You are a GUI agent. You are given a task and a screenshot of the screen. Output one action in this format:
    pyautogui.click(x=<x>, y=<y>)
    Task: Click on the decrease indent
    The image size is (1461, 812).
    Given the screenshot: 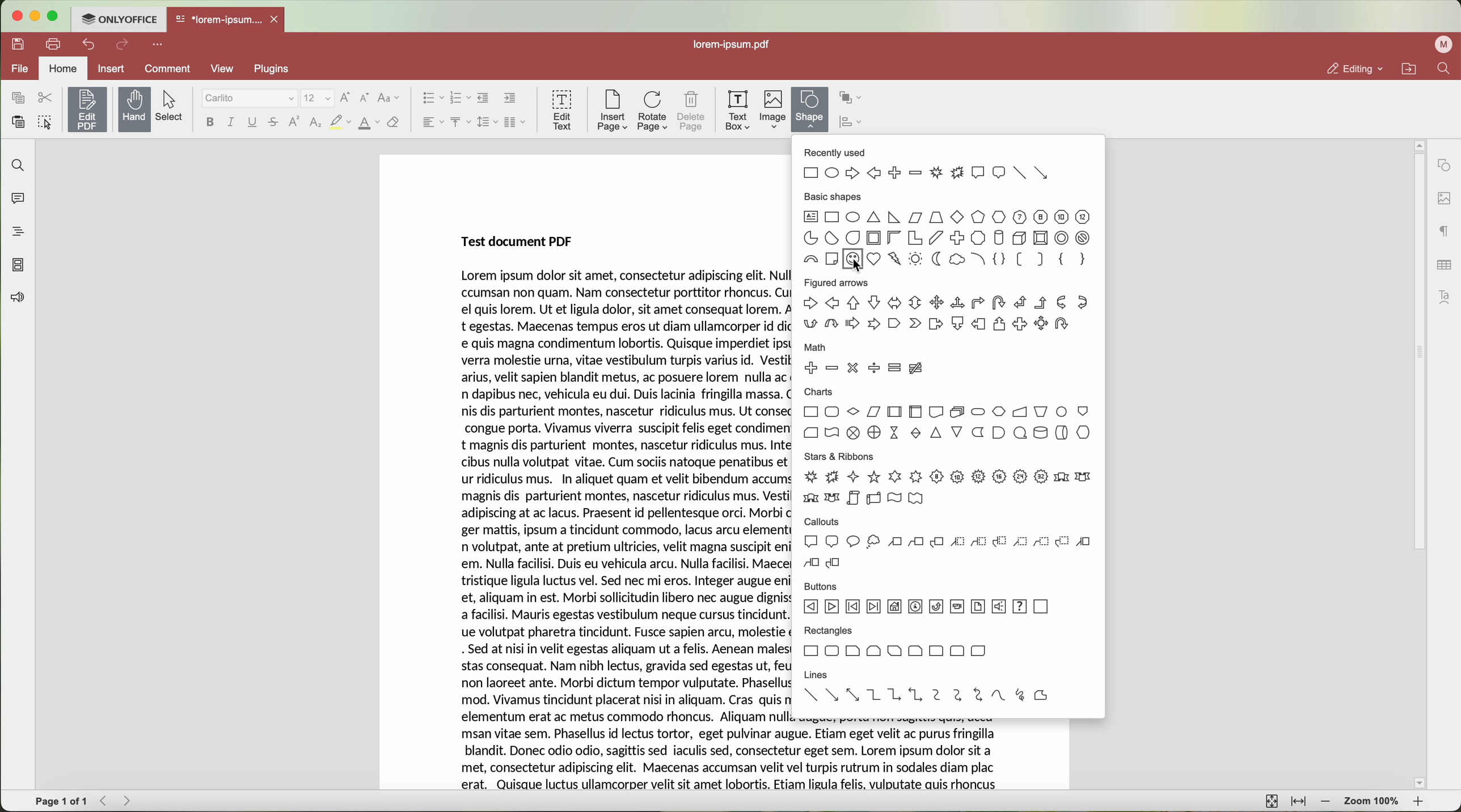 What is the action you would take?
    pyautogui.click(x=484, y=98)
    